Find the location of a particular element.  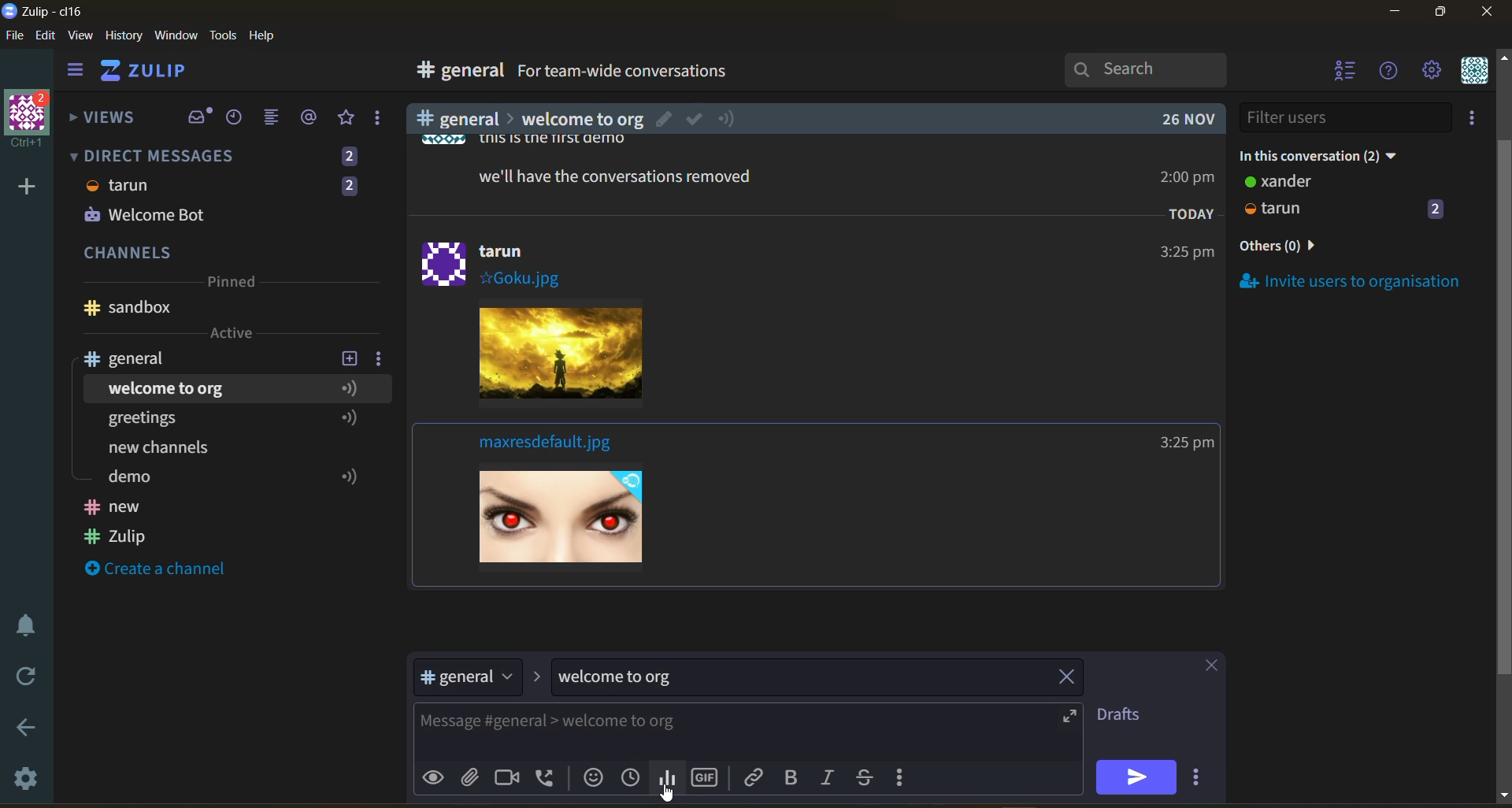

Channel names is located at coordinates (118, 524).